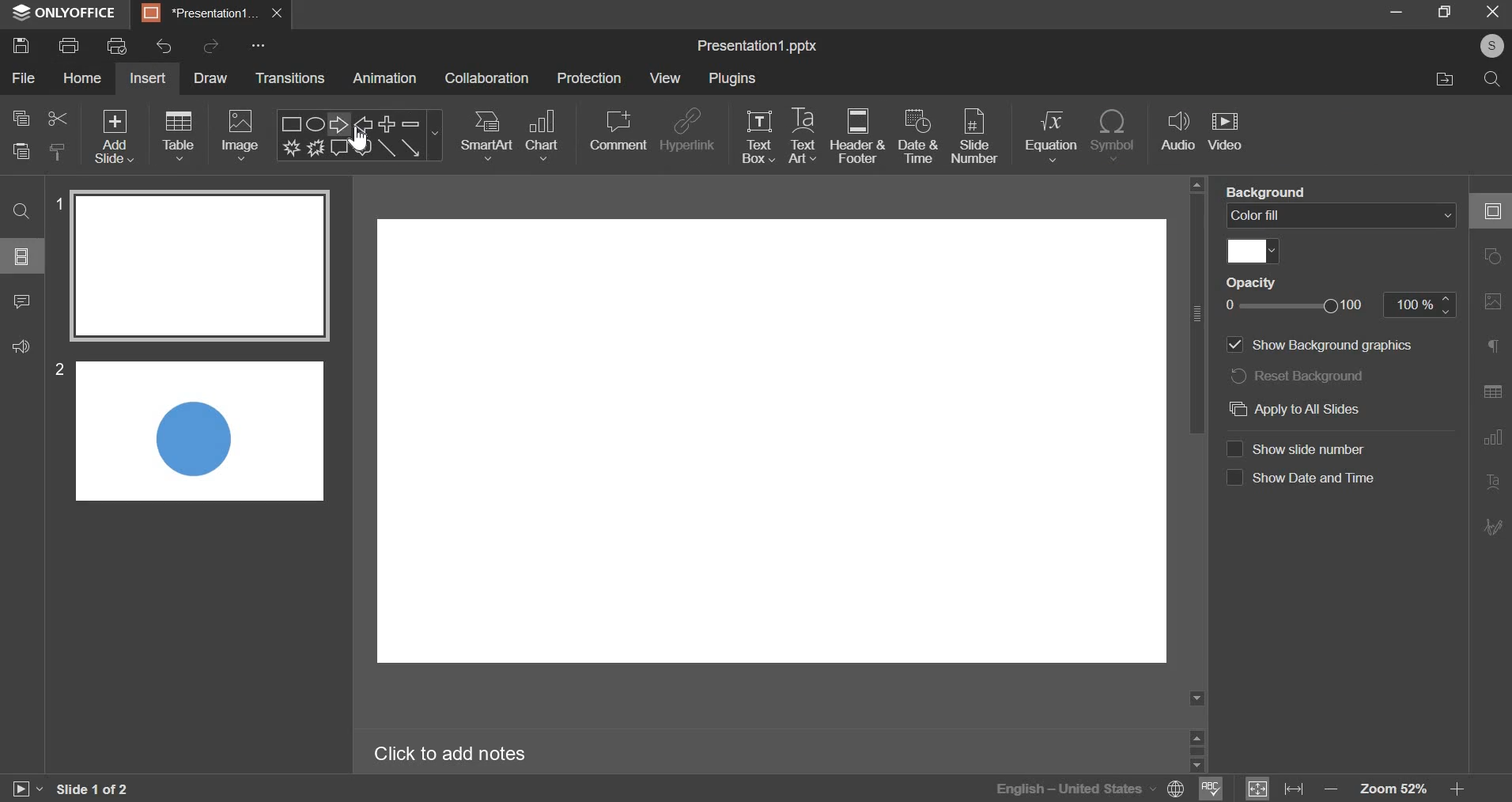 The height and width of the screenshot is (802, 1512). I want to click on account name, so click(1491, 46).